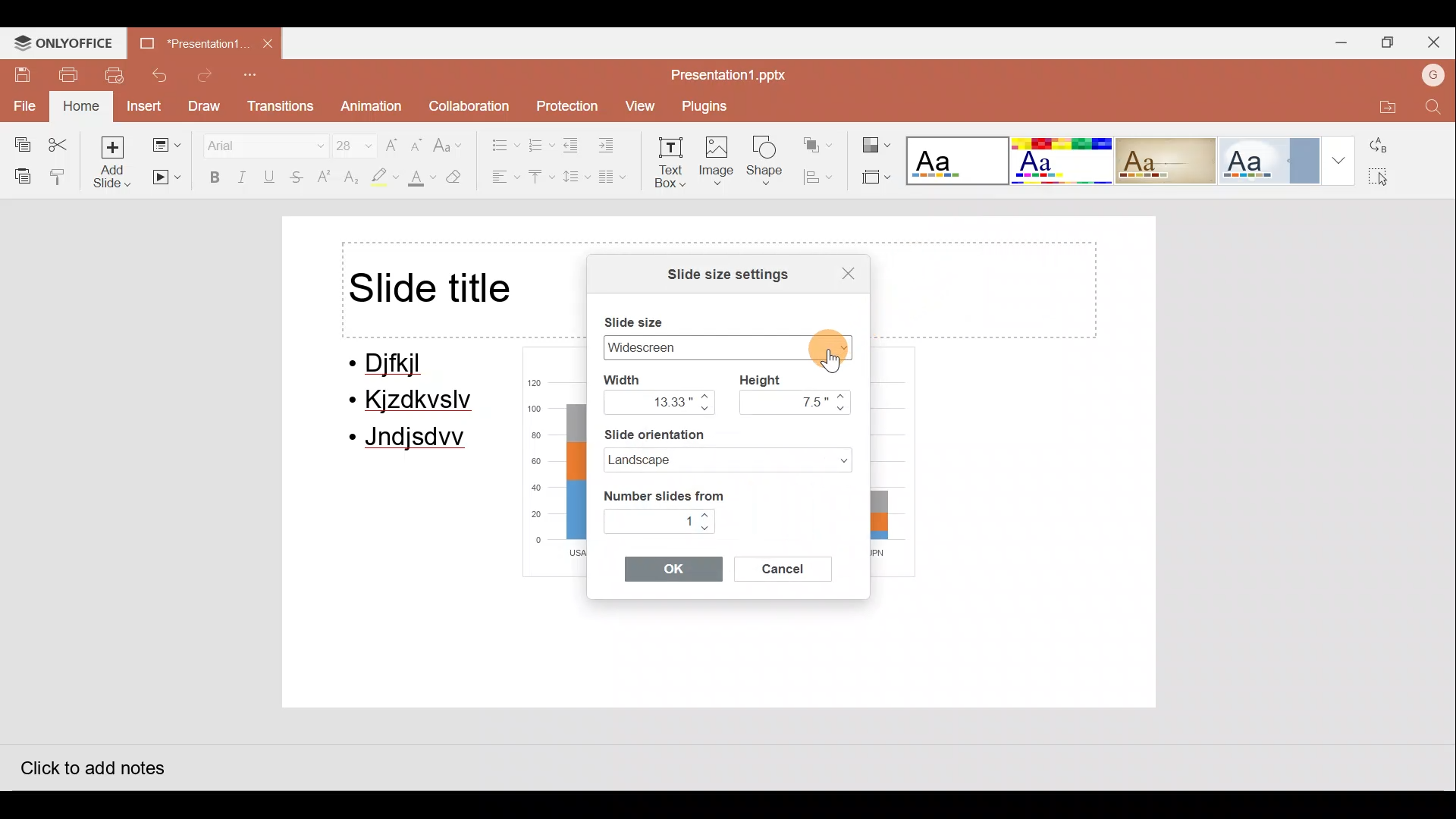 The height and width of the screenshot is (819, 1456). Describe the element at coordinates (650, 519) in the screenshot. I see `1` at that location.